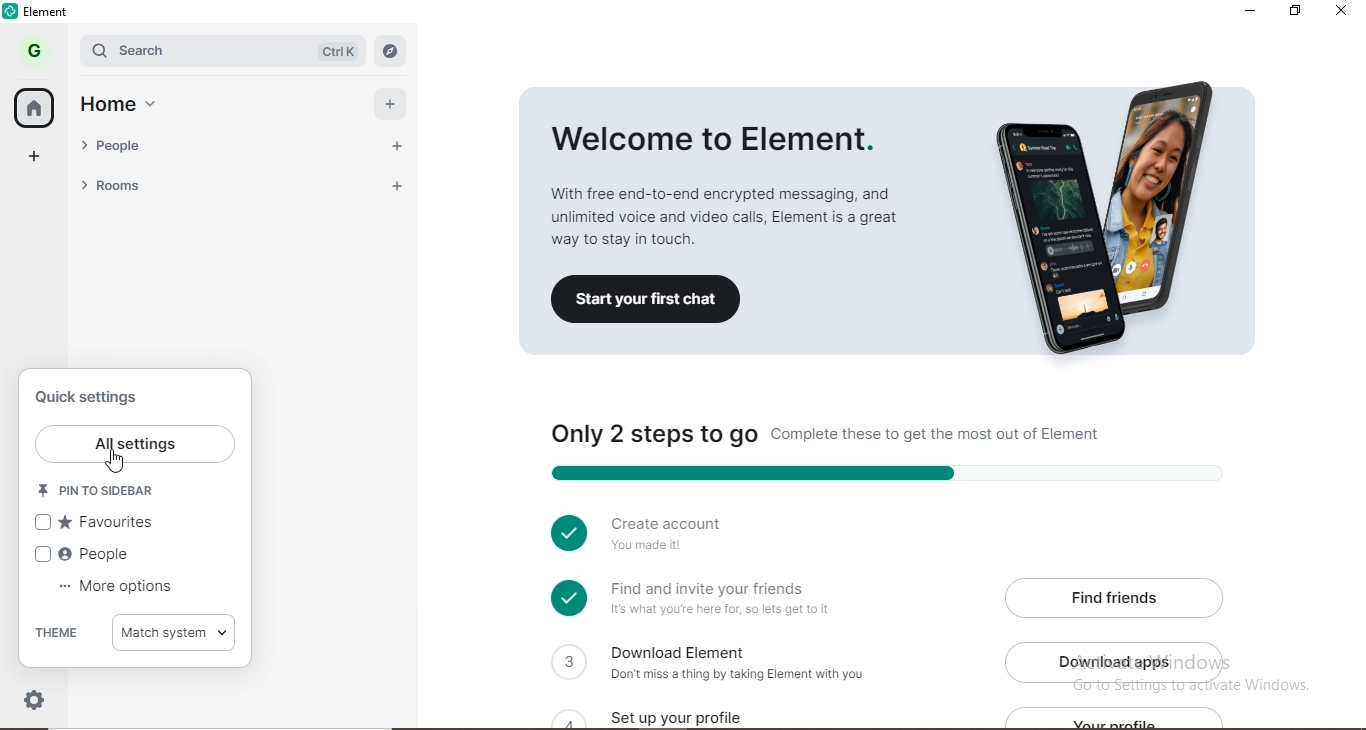 The image size is (1366, 730). What do you see at coordinates (727, 599) in the screenshot?
I see `Find and invite your friends` at bounding box center [727, 599].